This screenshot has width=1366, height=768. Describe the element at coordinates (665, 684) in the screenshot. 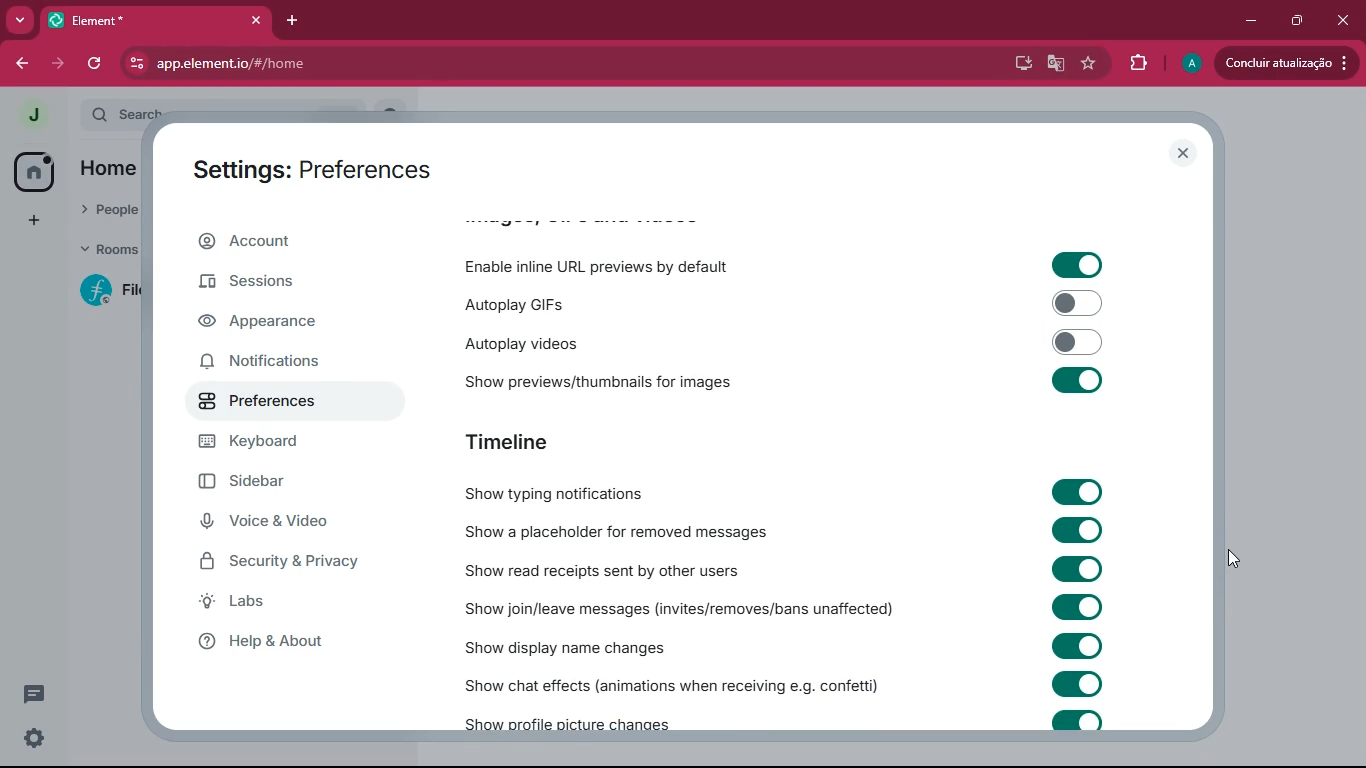

I see `show chat effects (animations when receiving e.g. confetti)` at that location.